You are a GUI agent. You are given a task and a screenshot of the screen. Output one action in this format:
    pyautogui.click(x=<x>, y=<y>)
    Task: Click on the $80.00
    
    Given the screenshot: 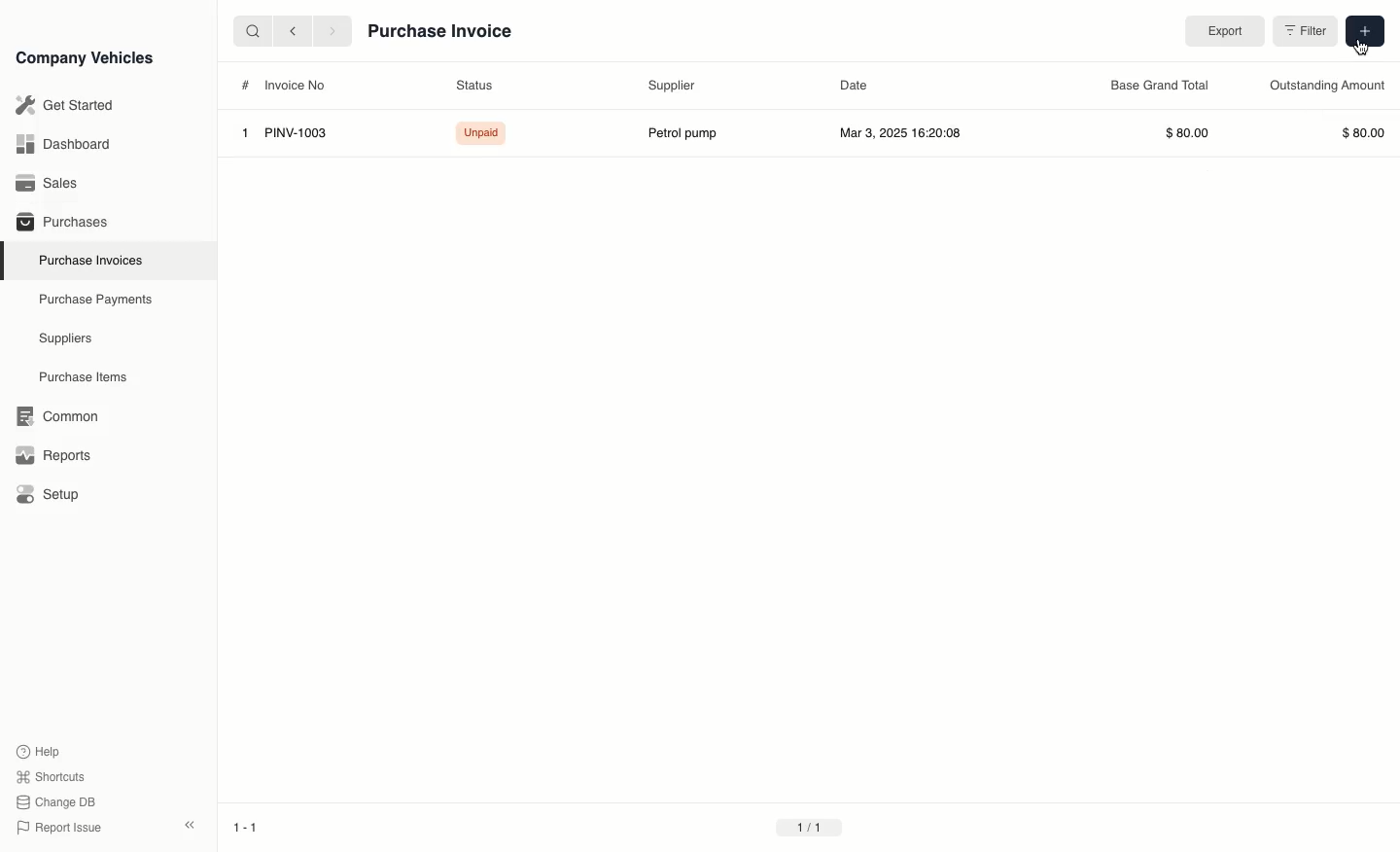 What is the action you would take?
    pyautogui.click(x=1356, y=134)
    